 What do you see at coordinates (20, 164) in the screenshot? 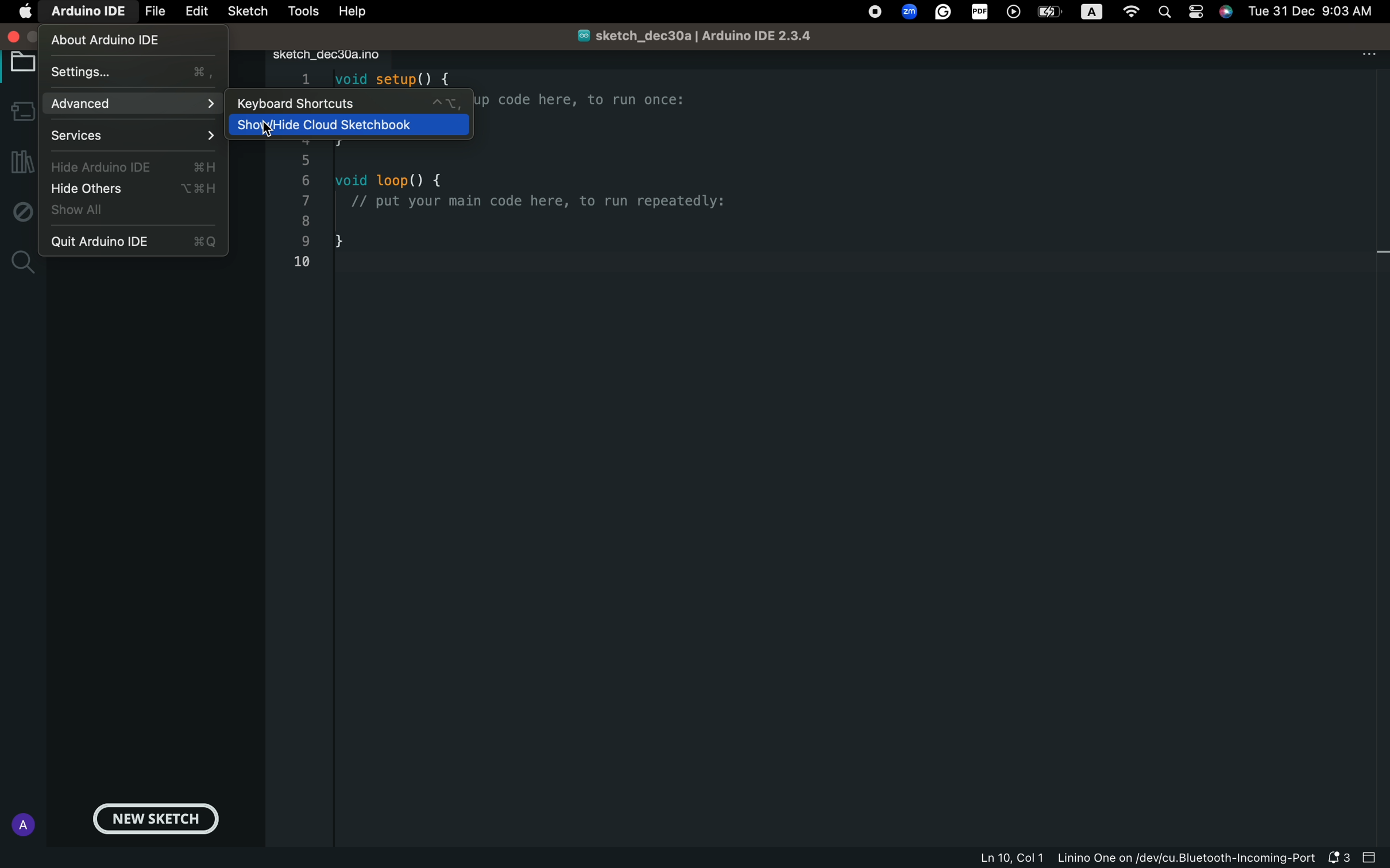
I see `library manager` at bounding box center [20, 164].